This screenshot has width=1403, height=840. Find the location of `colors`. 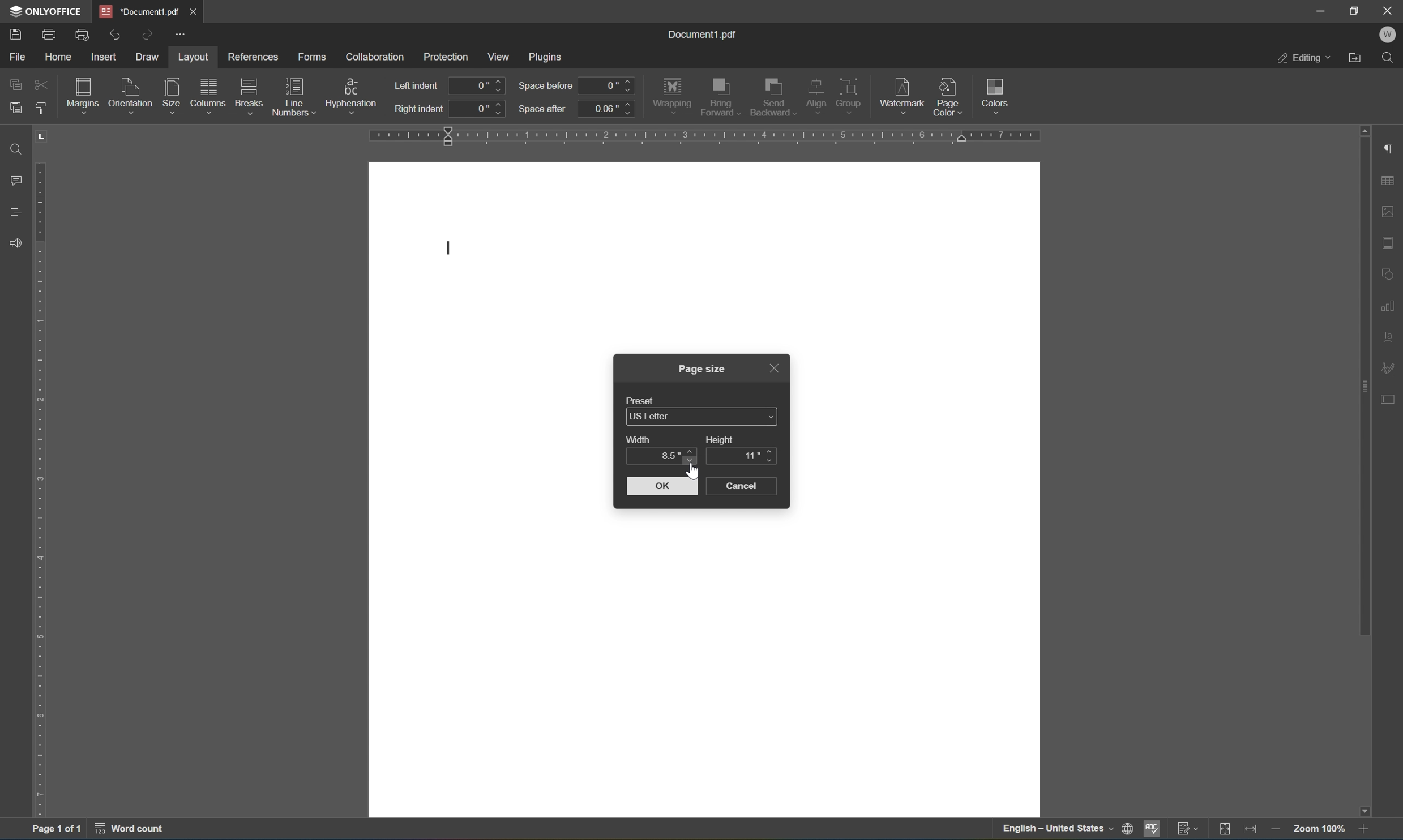

colors is located at coordinates (998, 95).